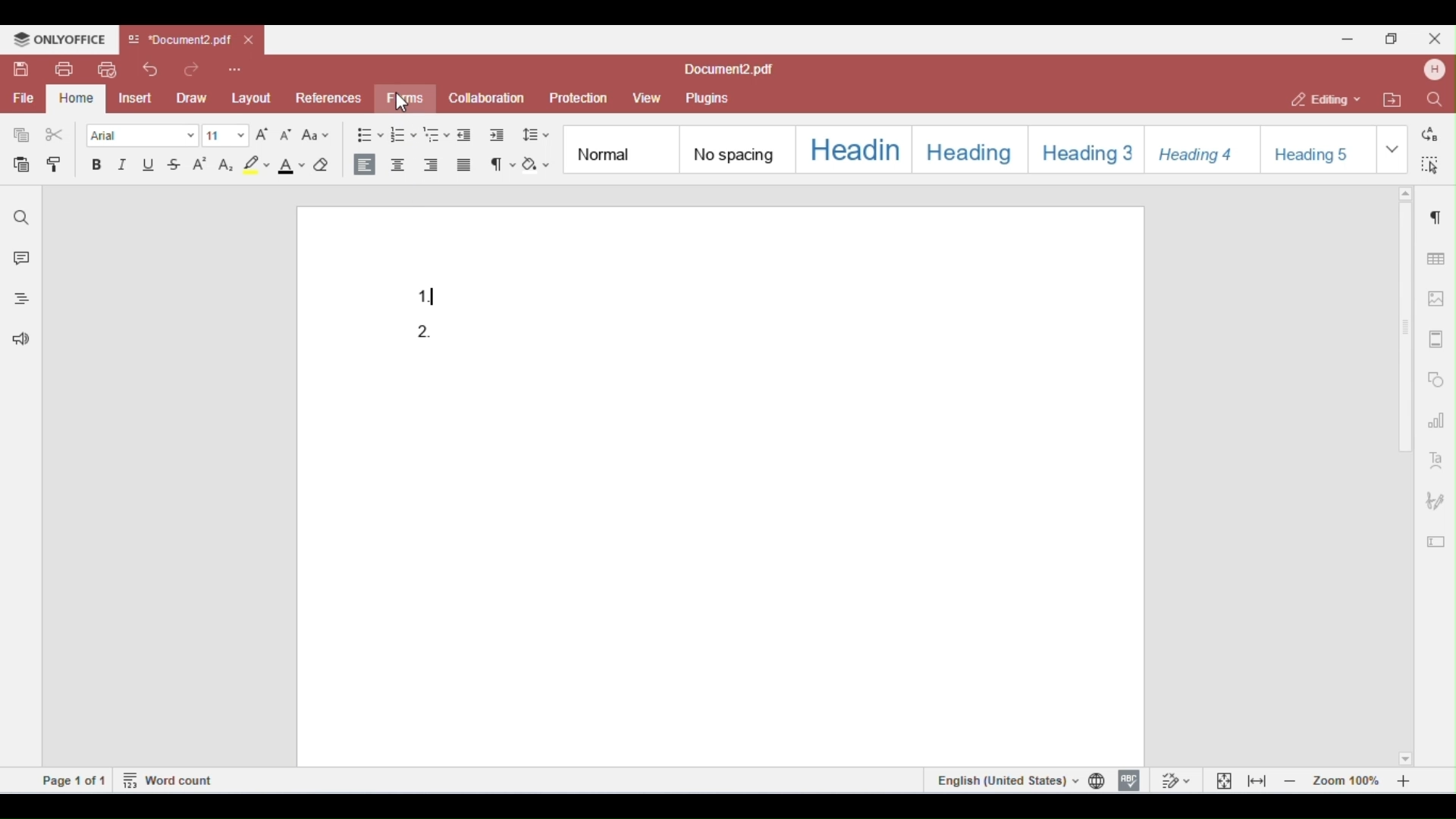  I want to click on set document language, so click(1100, 780).